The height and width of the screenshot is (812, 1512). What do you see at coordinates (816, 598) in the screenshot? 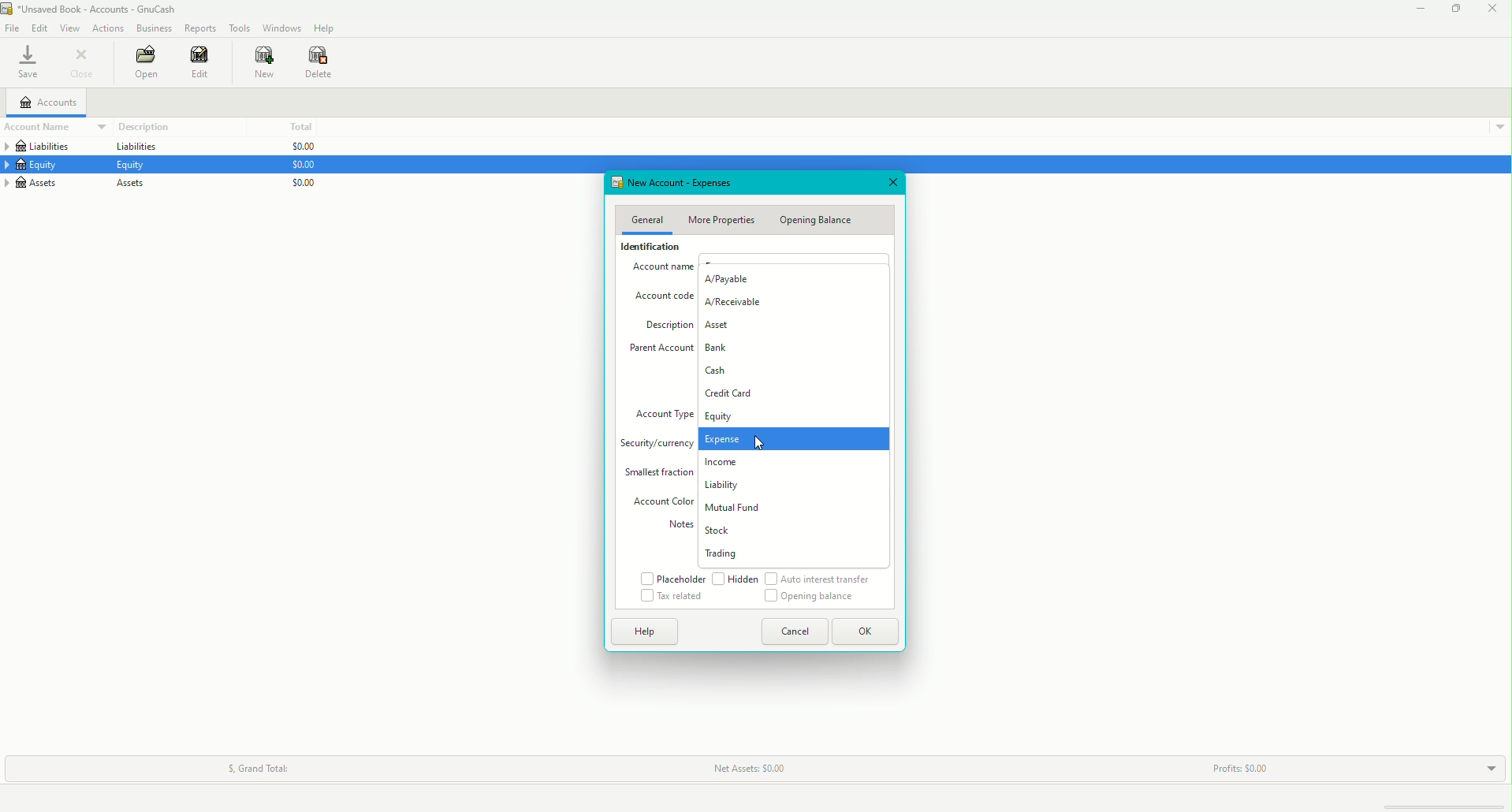
I see `Opening Balance` at bounding box center [816, 598].